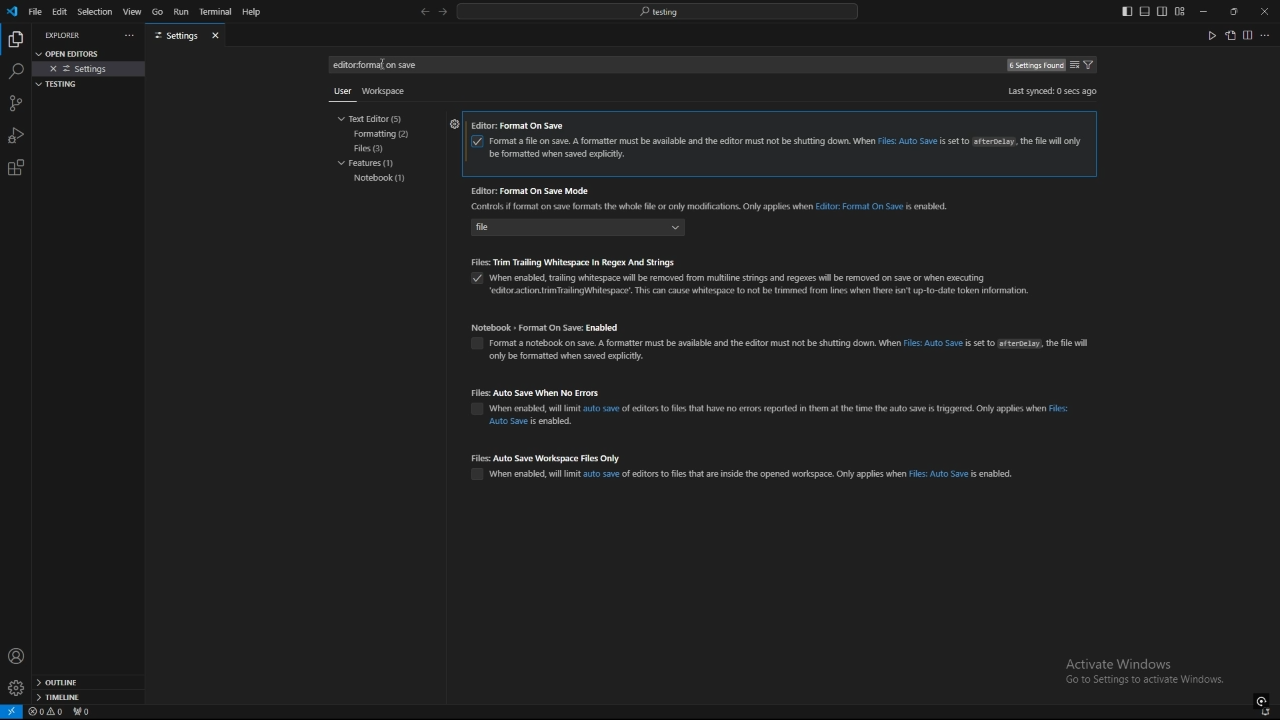  What do you see at coordinates (12, 712) in the screenshot?
I see `open a remote window` at bounding box center [12, 712].